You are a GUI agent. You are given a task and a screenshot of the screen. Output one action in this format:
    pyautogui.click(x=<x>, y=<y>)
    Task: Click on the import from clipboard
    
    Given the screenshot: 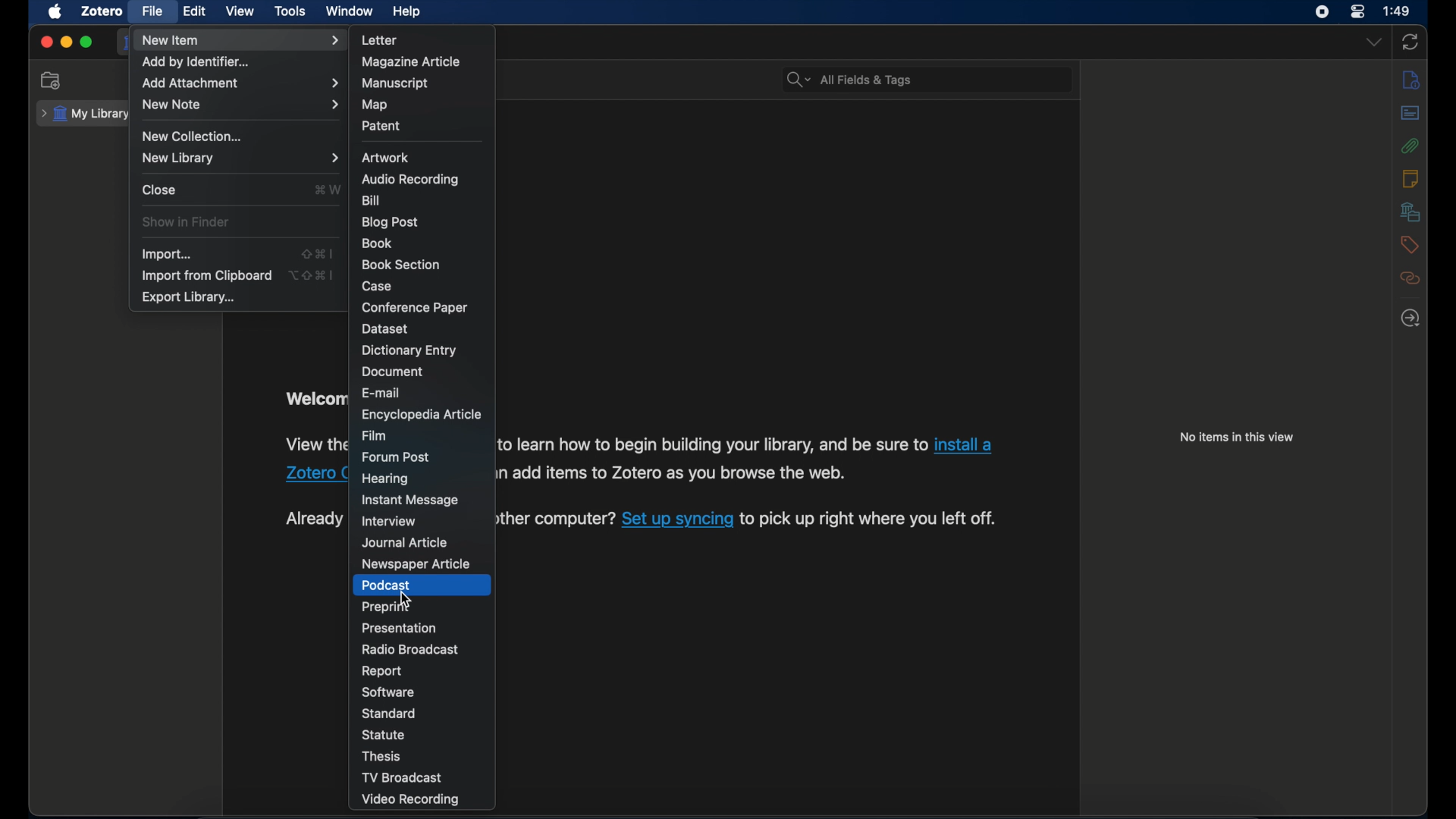 What is the action you would take?
    pyautogui.click(x=206, y=276)
    